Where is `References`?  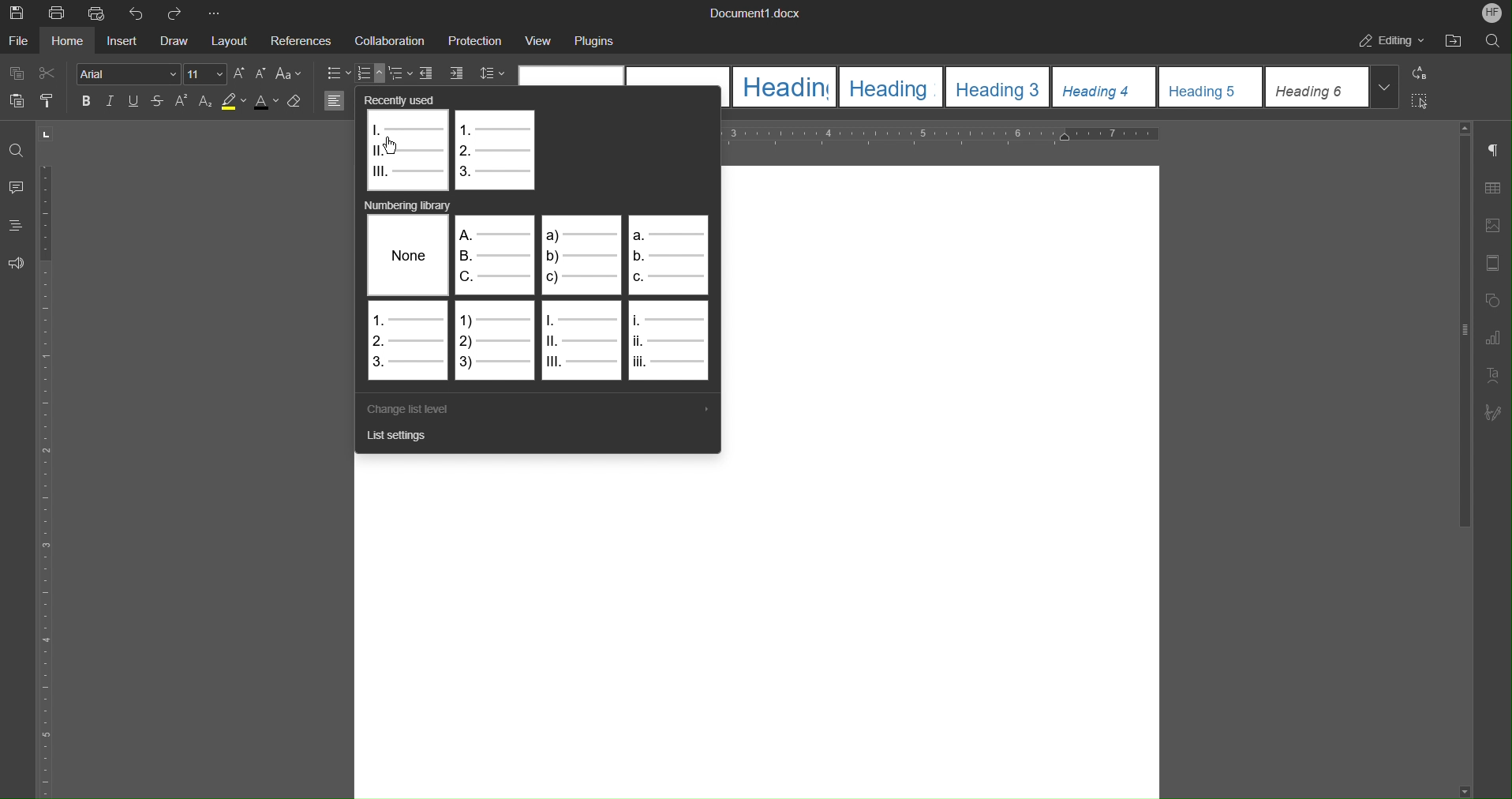 References is located at coordinates (300, 40).